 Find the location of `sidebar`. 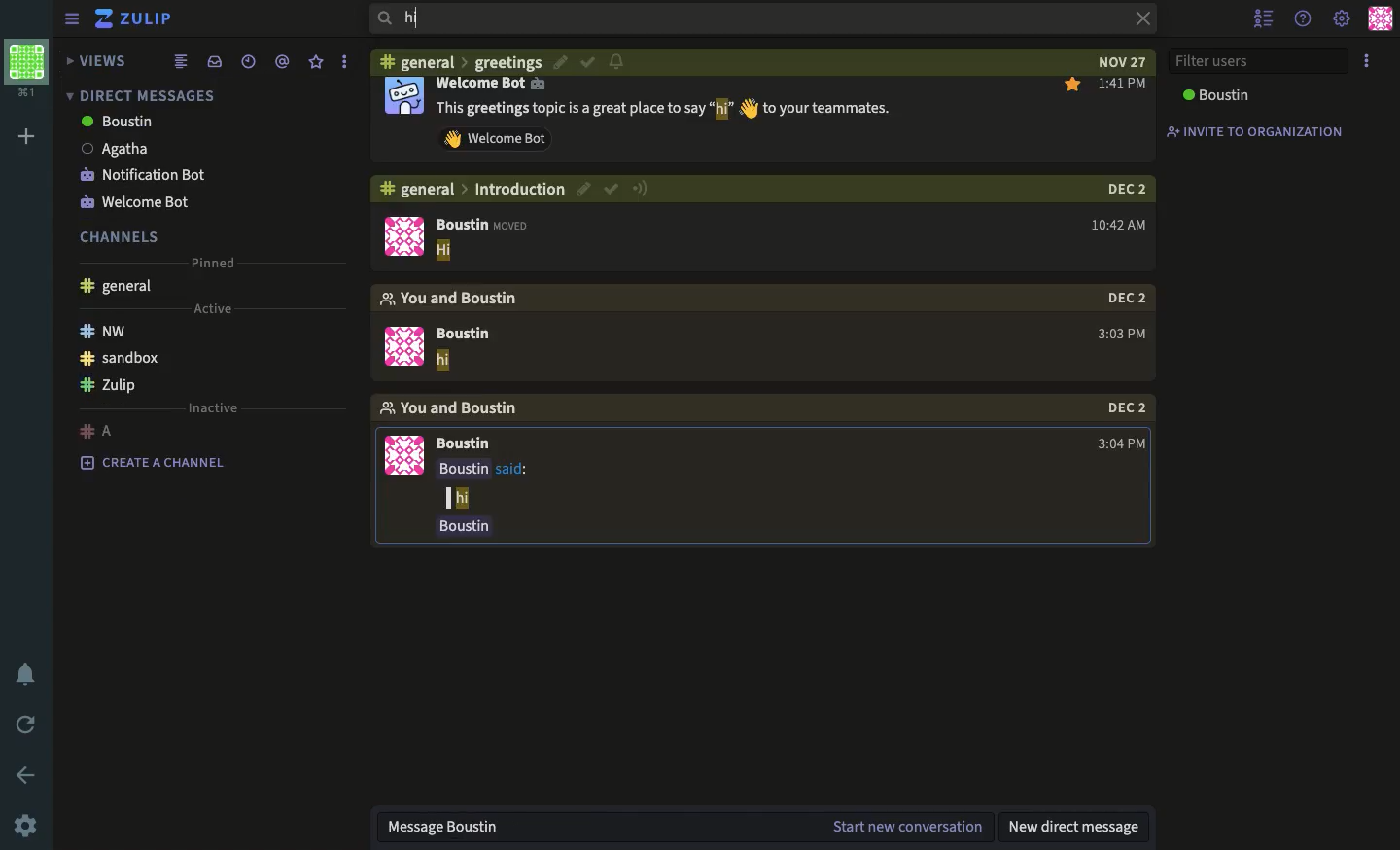

sidebar is located at coordinates (71, 19).